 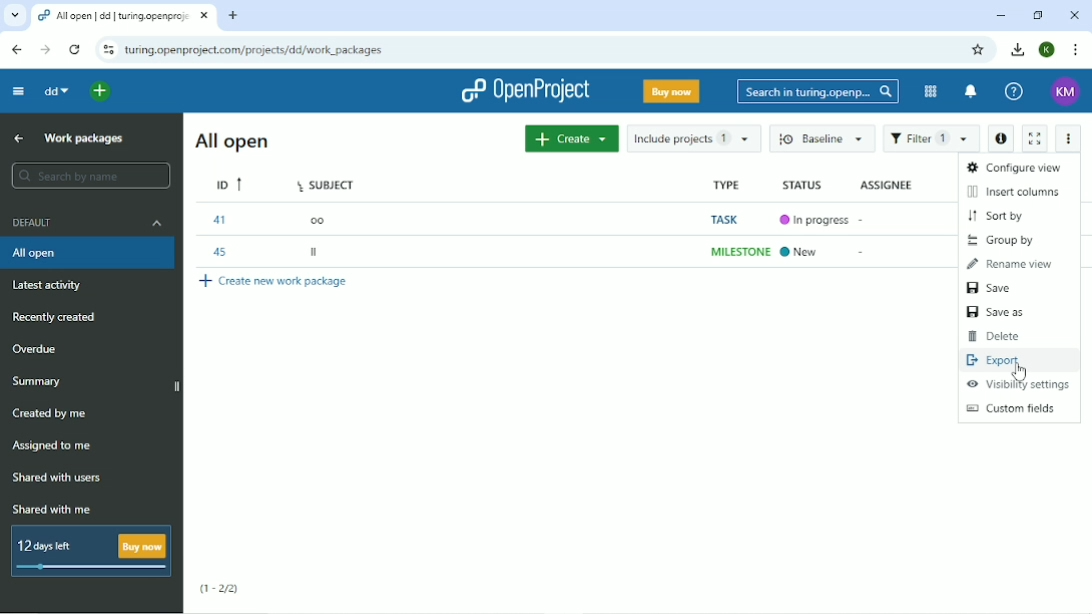 I want to click on Group by, so click(x=1001, y=241).